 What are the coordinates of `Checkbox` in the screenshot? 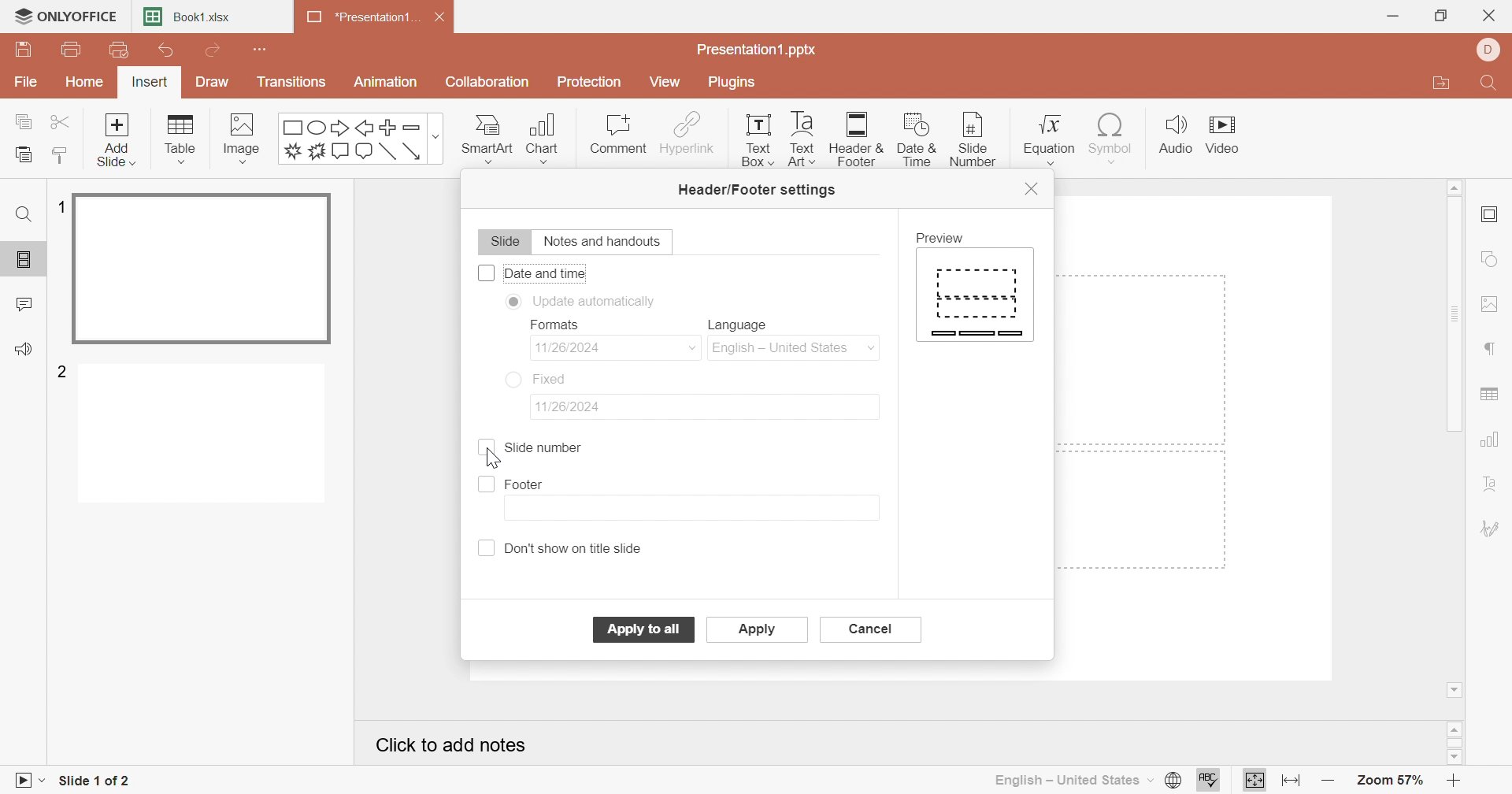 It's located at (486, 485).